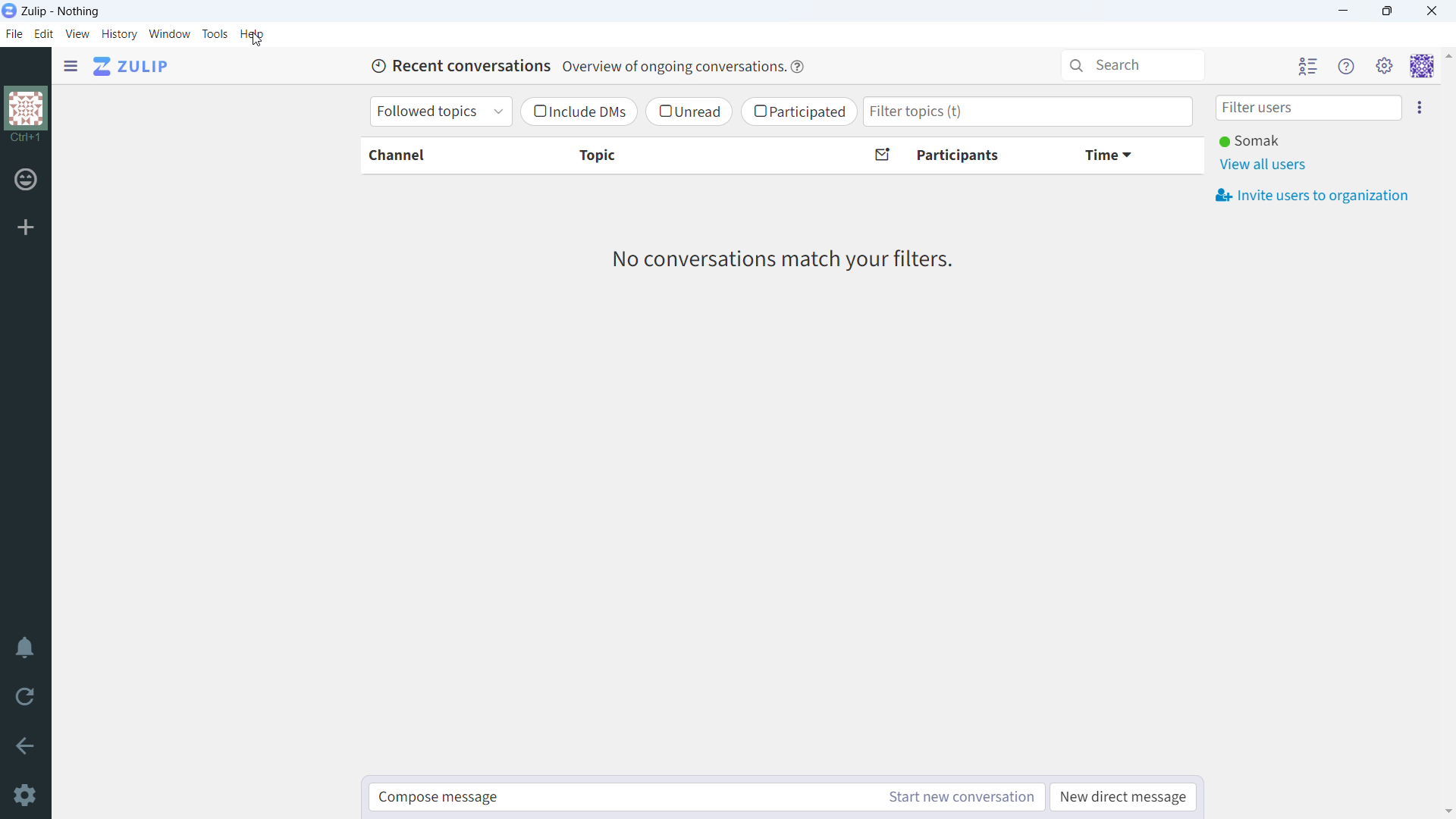  Describe the element at coordinates (26, 227) in the screenshot. I see `add organization` at that location.